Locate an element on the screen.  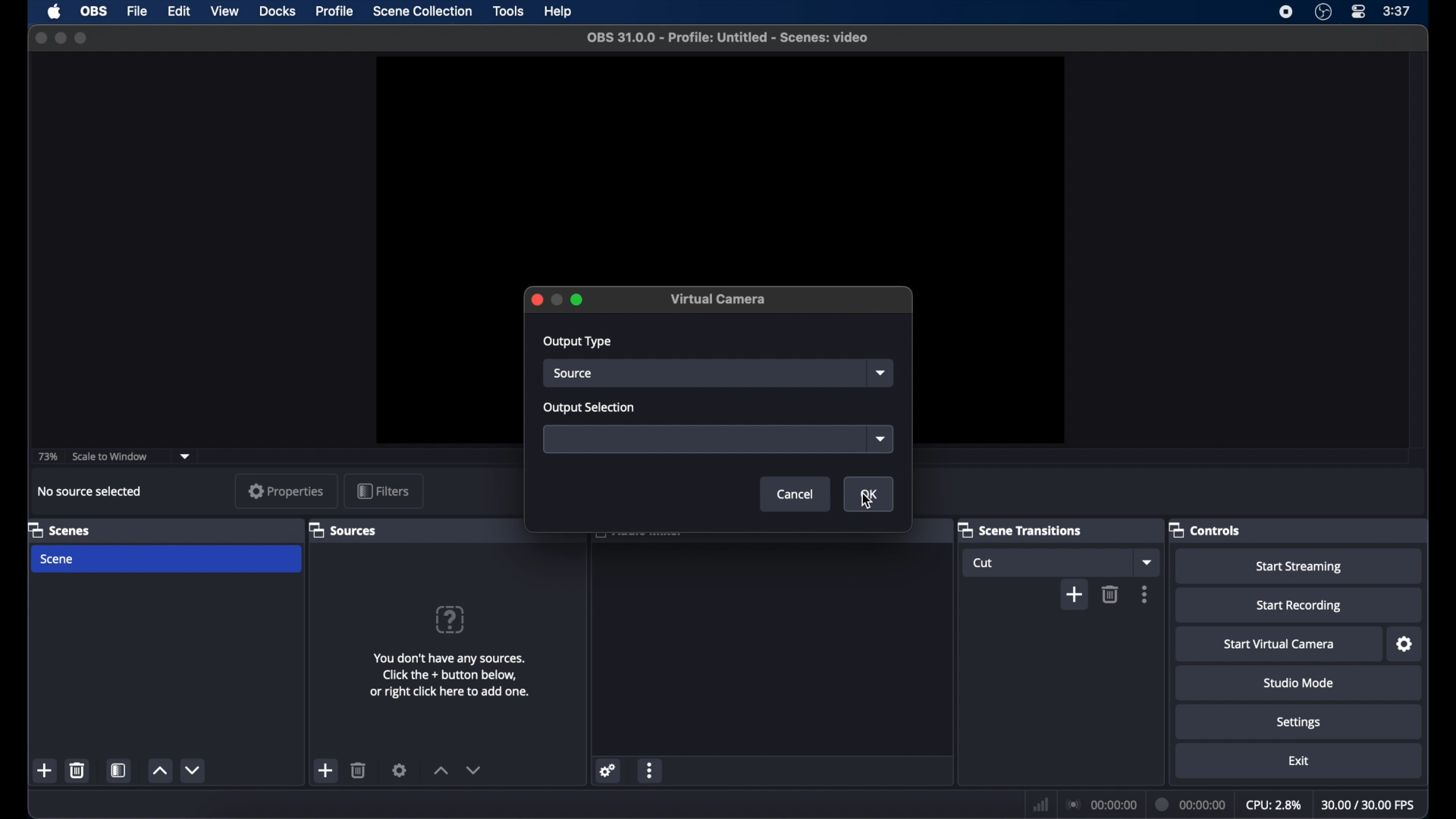
decrement is located at coordinates (473, 770).